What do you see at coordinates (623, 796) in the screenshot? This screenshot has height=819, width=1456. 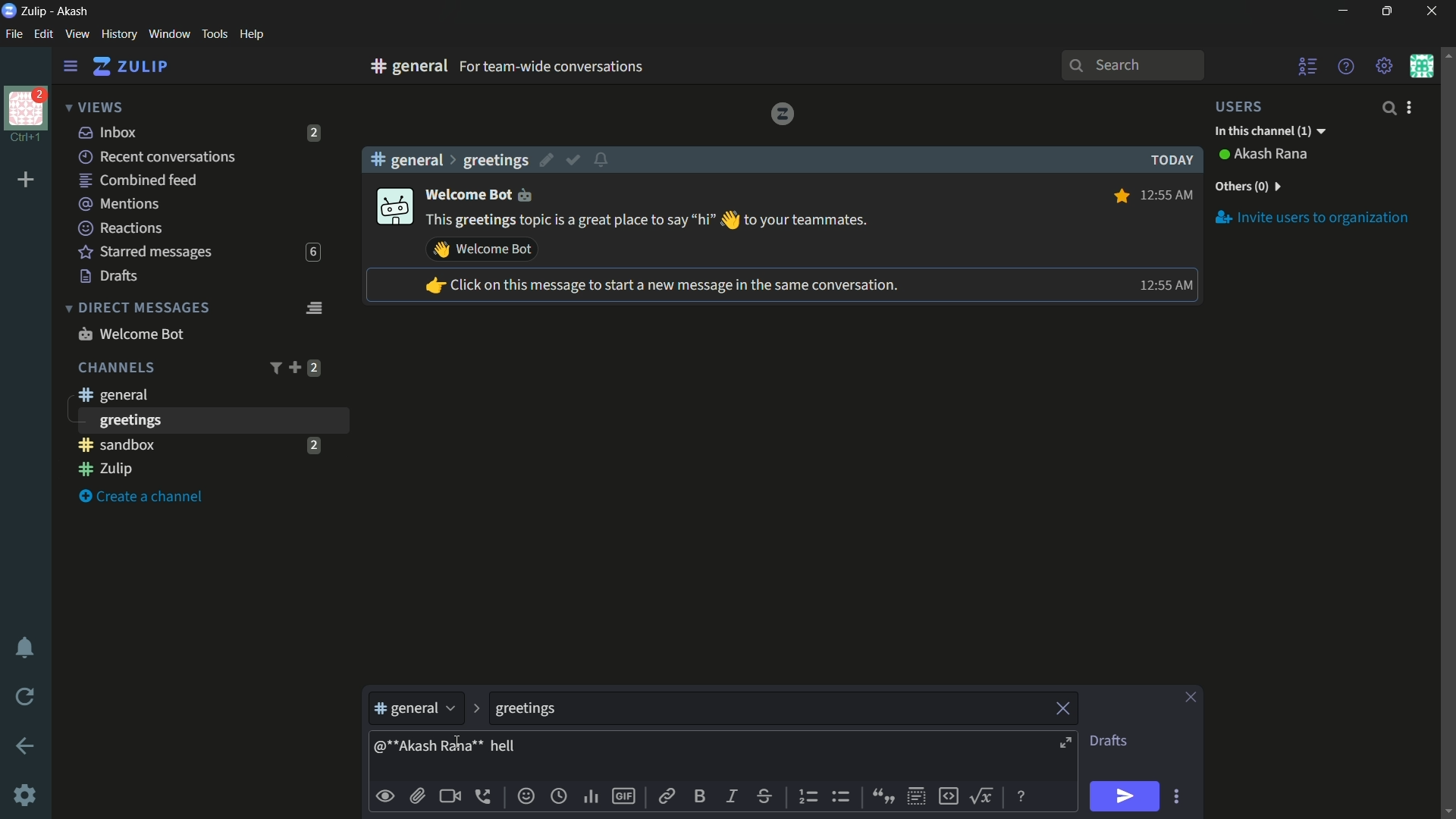 I see `add gif` at bounding box center [623, 796].